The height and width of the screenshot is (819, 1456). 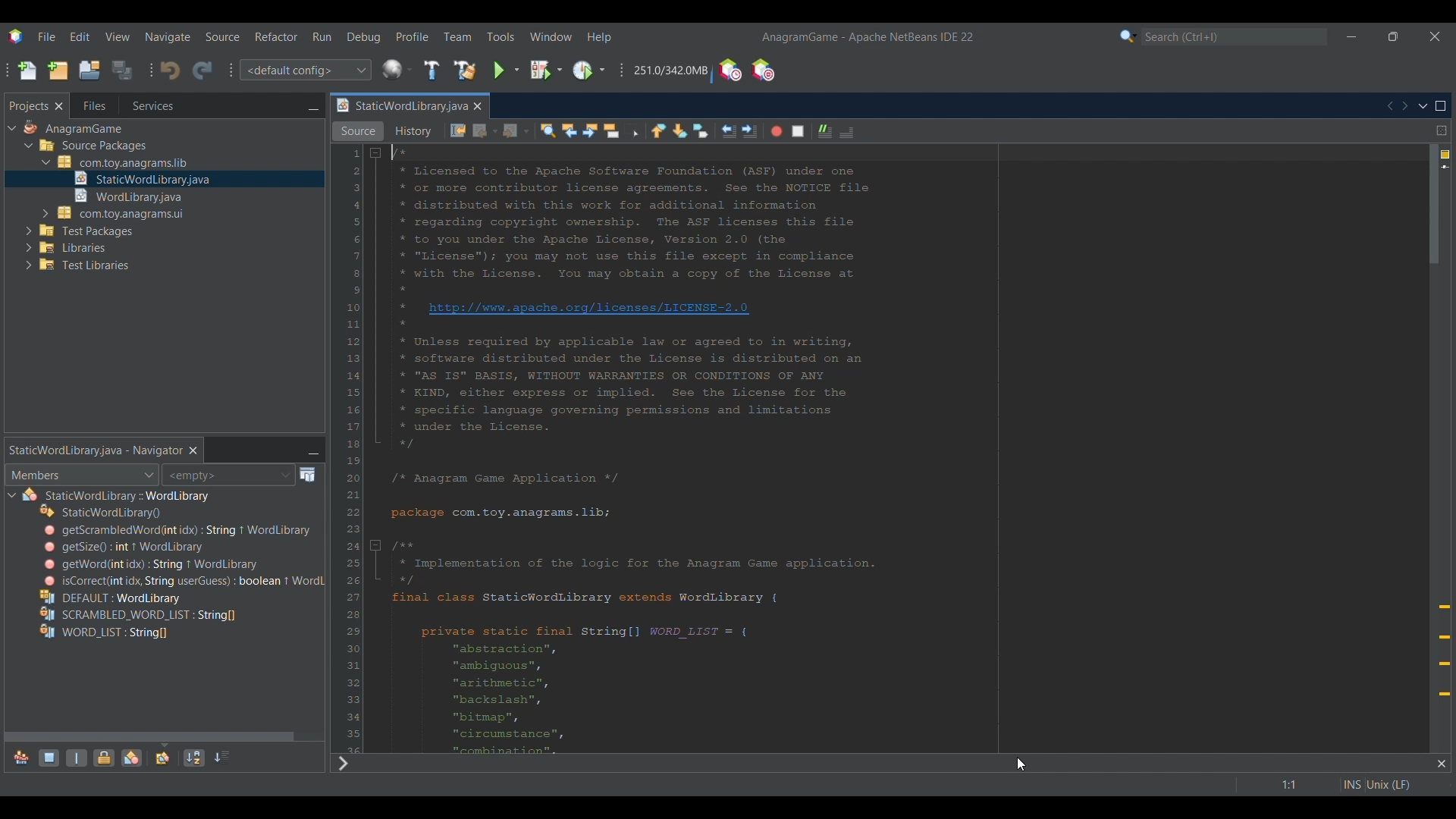 I want to click on Current project and software name, so click(x=868, y=37).